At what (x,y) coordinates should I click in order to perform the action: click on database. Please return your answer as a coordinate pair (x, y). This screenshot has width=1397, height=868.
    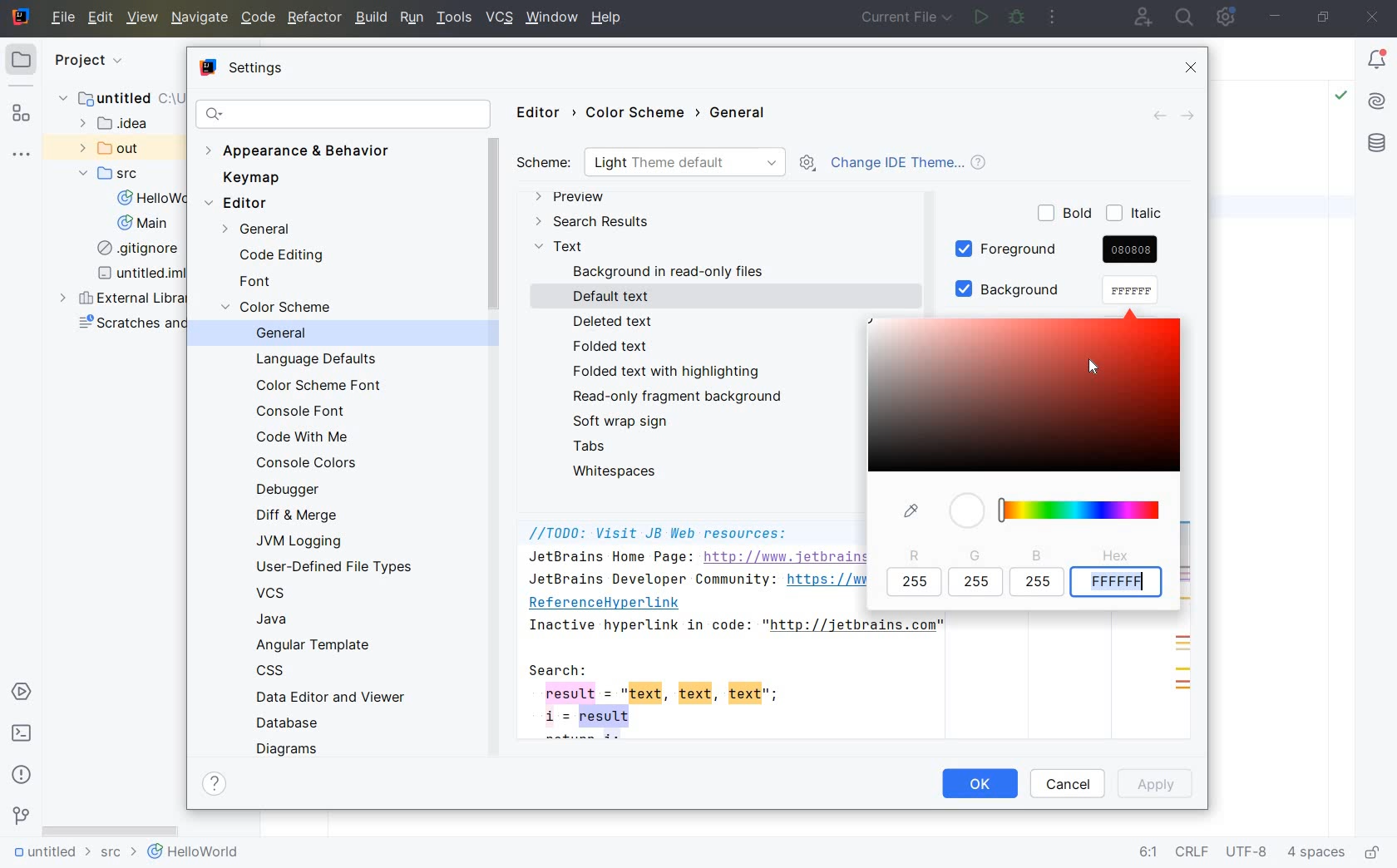
    Looking at the image, I should click on (1376, 145).